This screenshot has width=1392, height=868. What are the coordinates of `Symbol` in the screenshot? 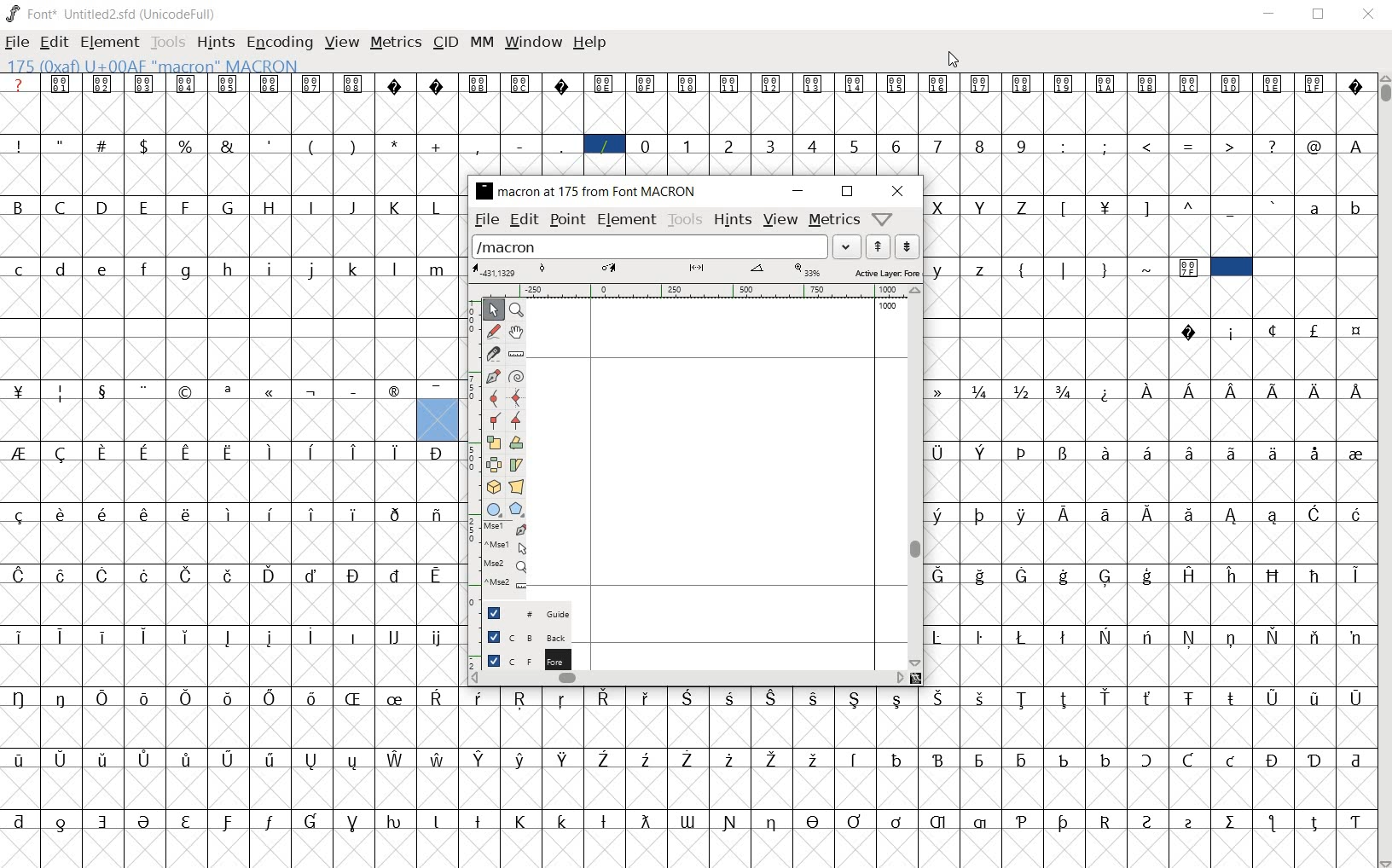 It's located at (272, 514).